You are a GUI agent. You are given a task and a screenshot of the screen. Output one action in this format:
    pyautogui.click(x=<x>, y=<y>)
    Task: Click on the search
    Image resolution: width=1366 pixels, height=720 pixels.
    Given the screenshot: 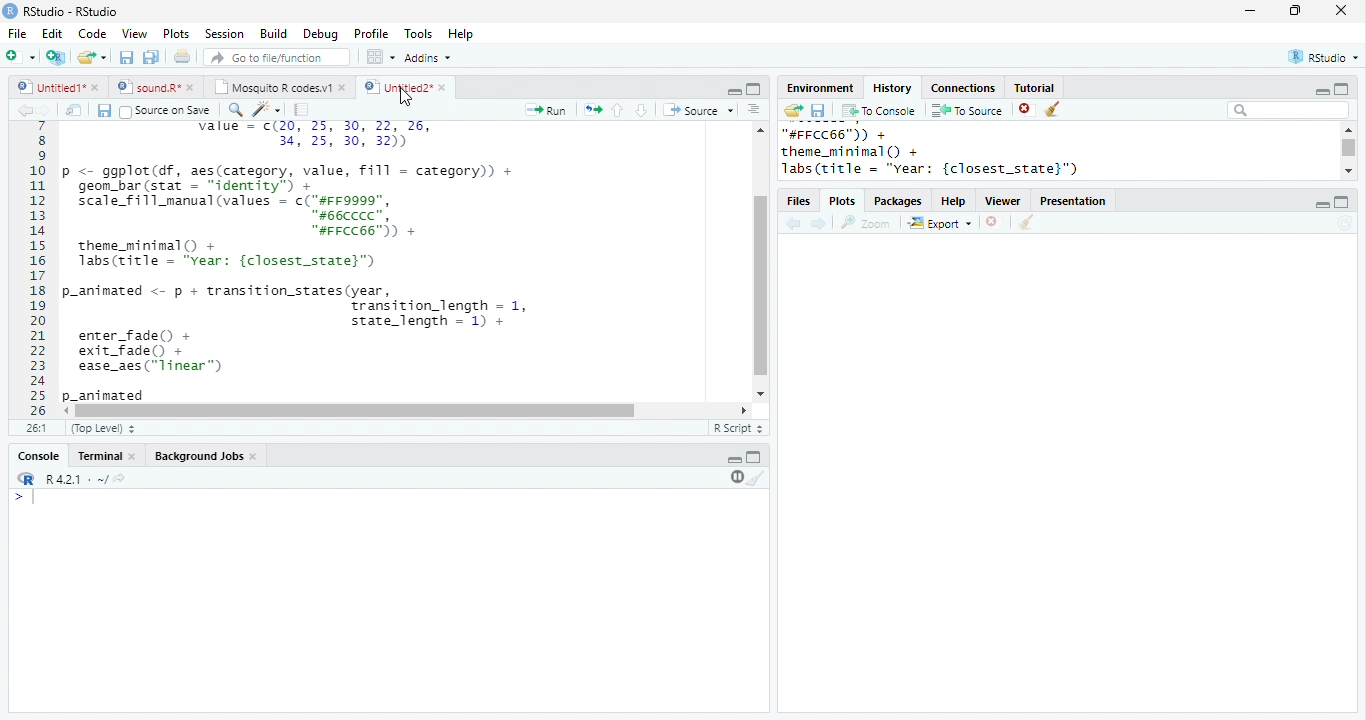 What is the action you would take?
    pyautogui.click(x=233, y=110)
    